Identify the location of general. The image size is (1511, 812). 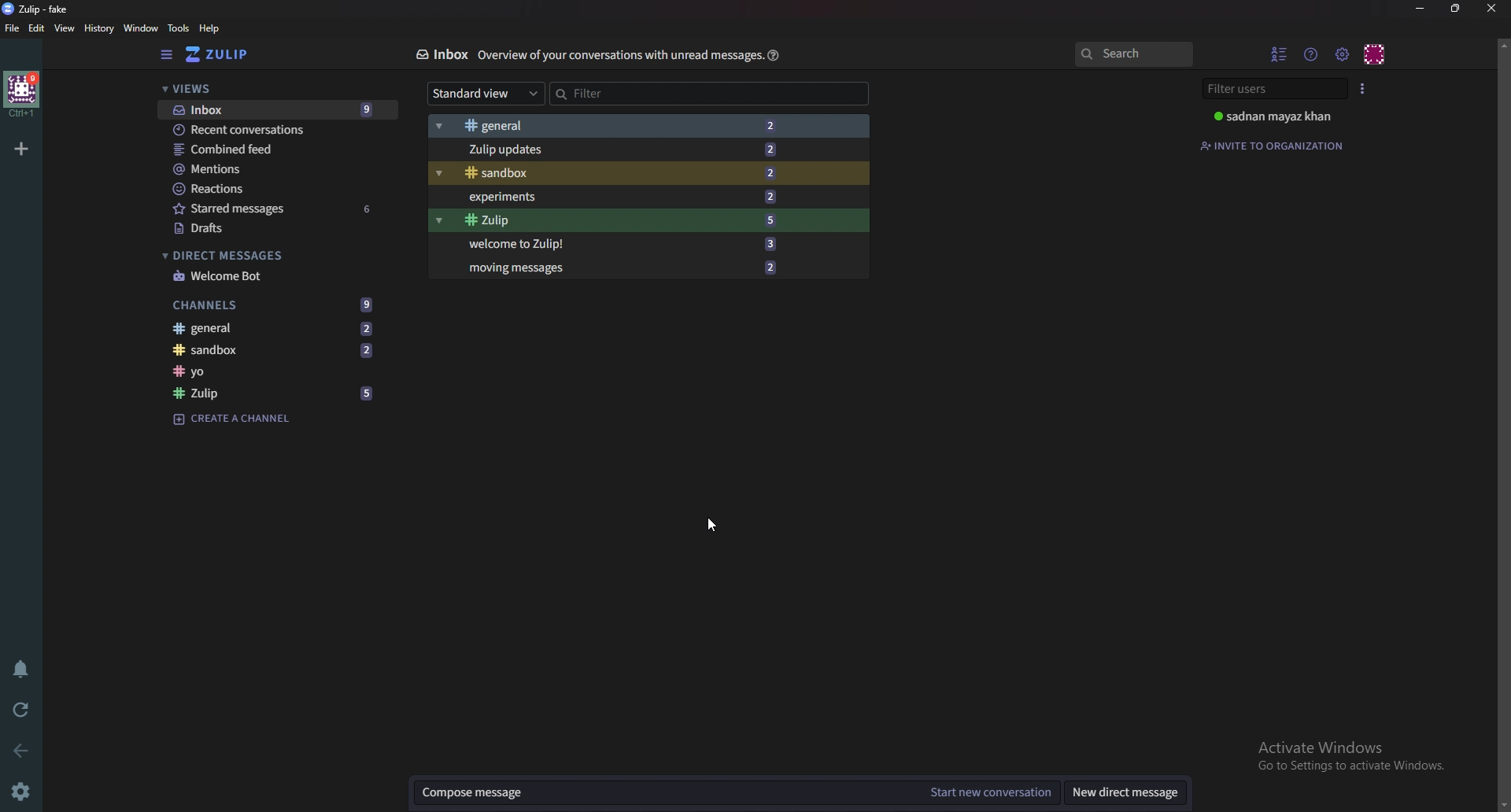
(279, 328).